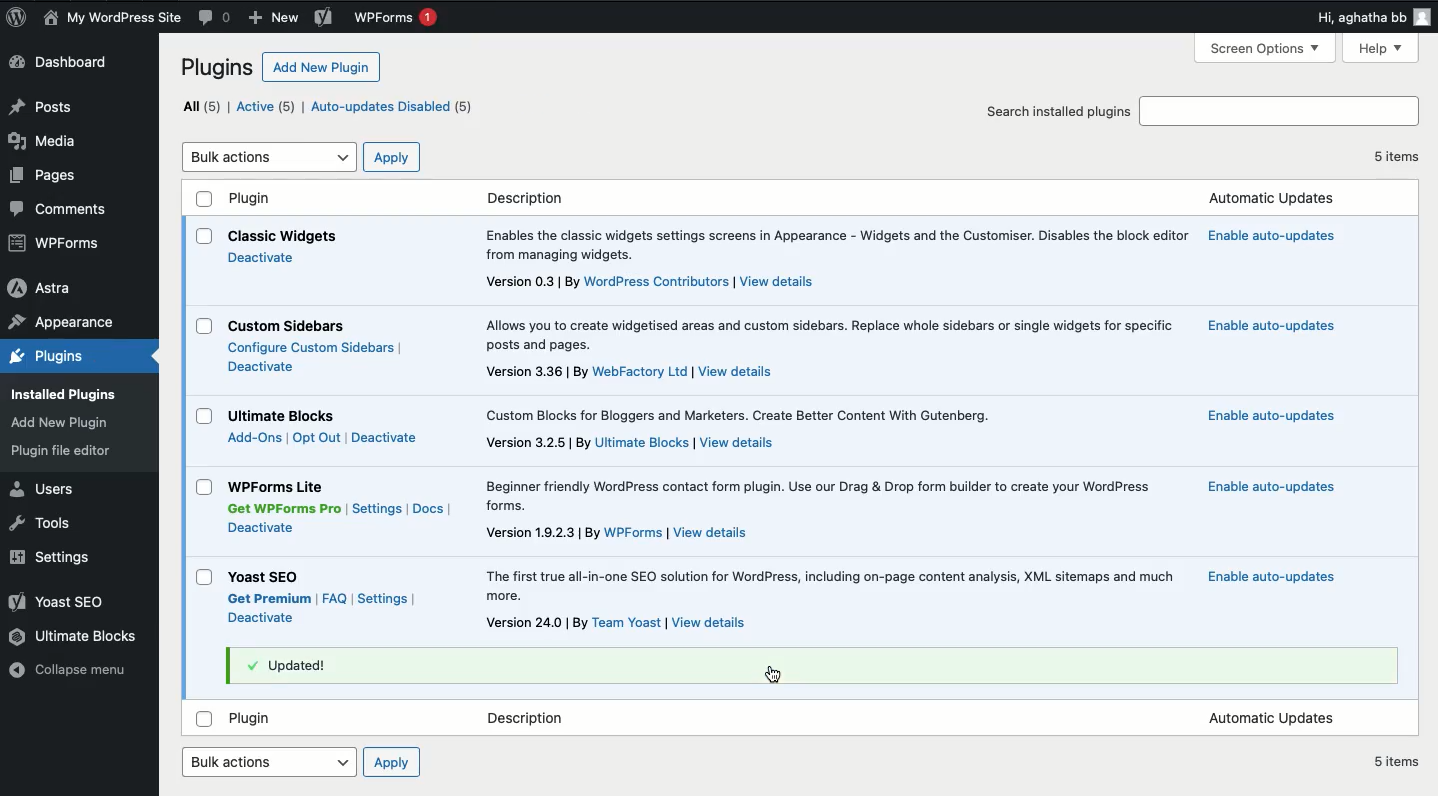  Describe the element at coordinates (617, 533) in the screenshot. I see `Description` at that location.